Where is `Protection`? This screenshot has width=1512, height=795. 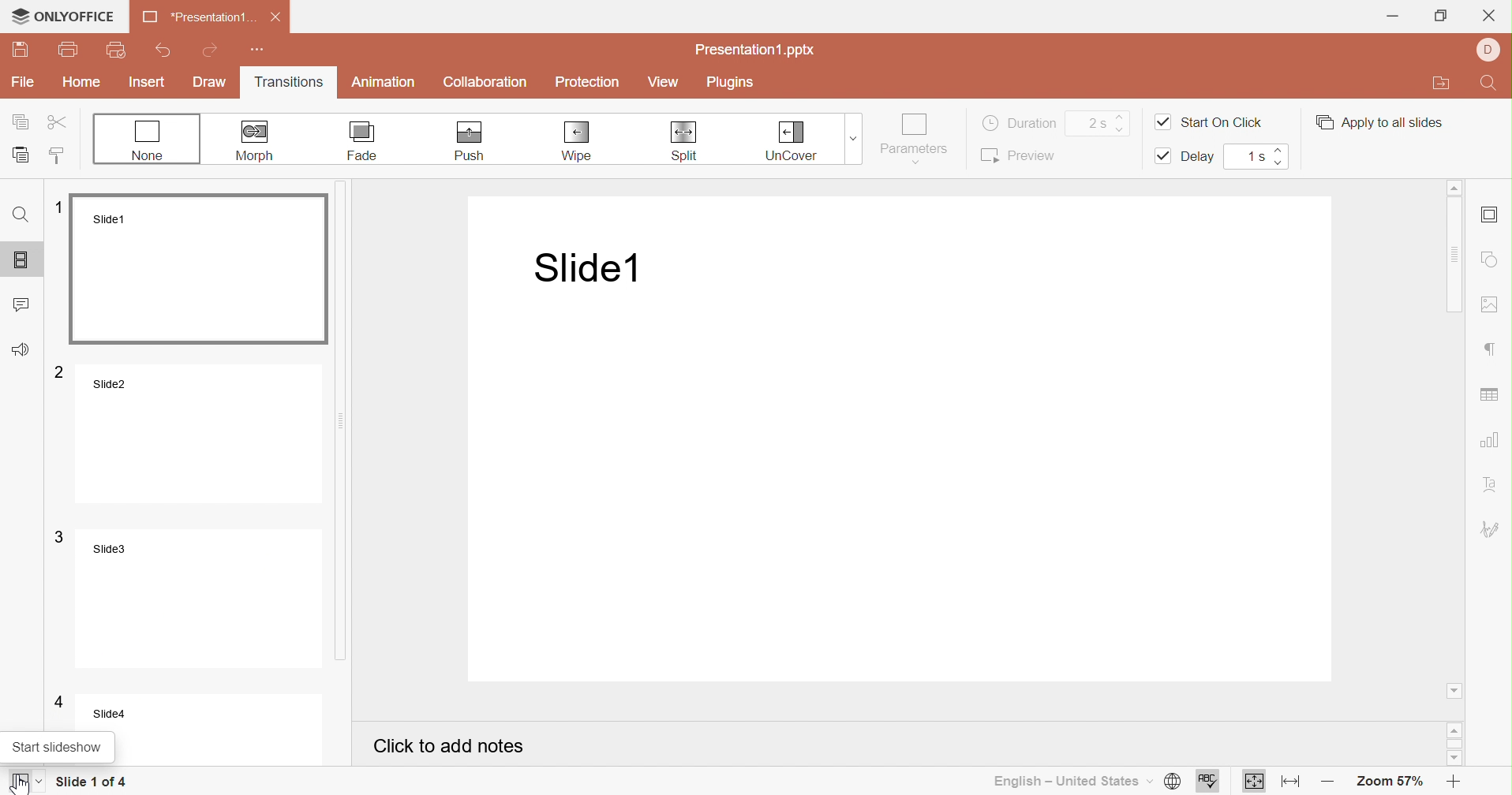 Protection is located at coordinates (588, 83).